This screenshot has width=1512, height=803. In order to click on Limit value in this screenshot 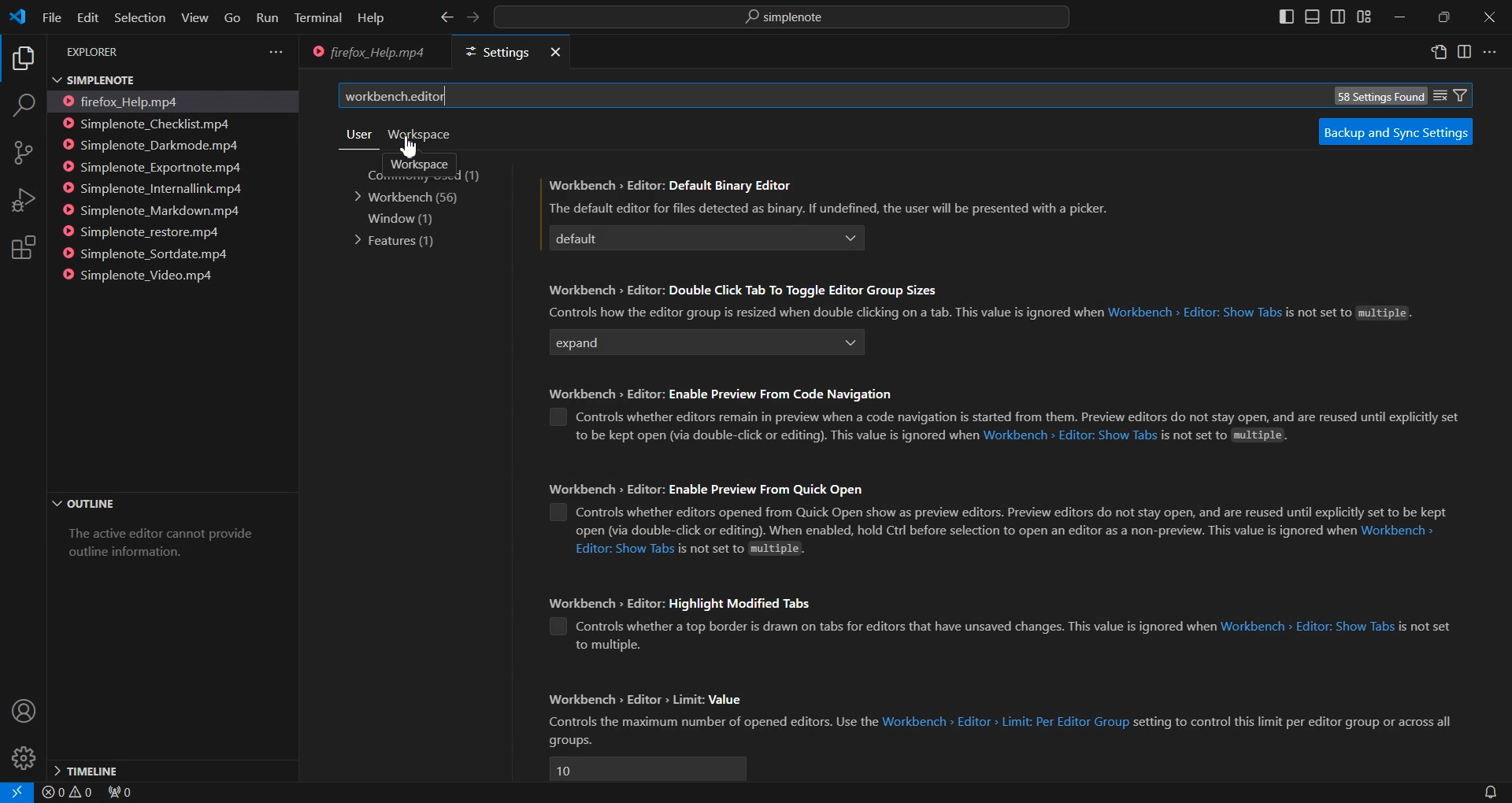, I will do `click(647, 768)`.